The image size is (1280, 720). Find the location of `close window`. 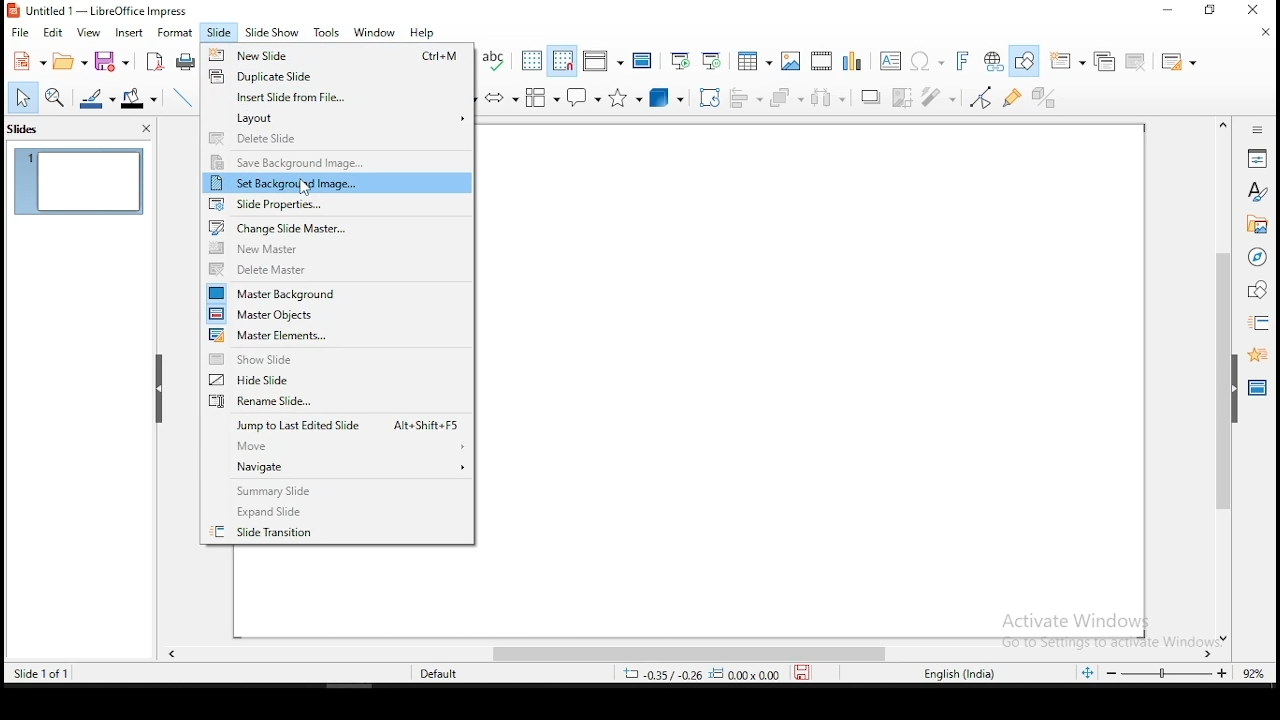

close window is located at coordinates (1254, 9).